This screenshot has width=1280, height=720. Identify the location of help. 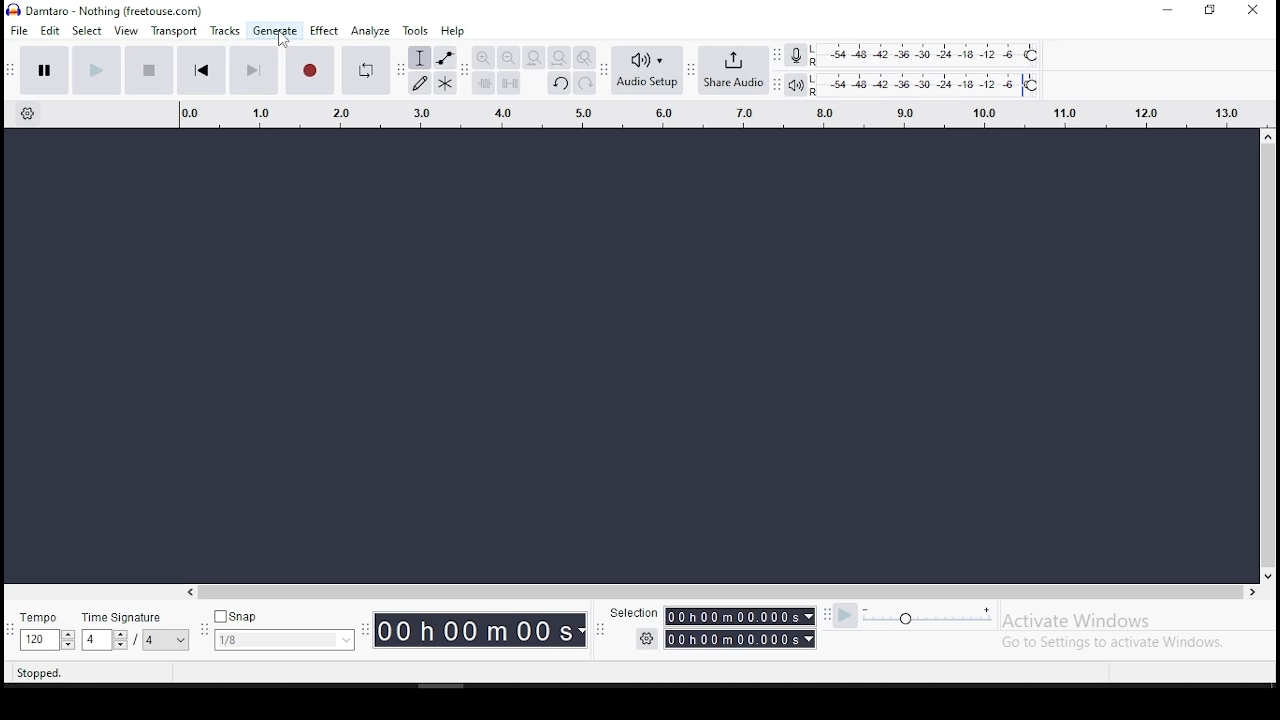
(453, 31).